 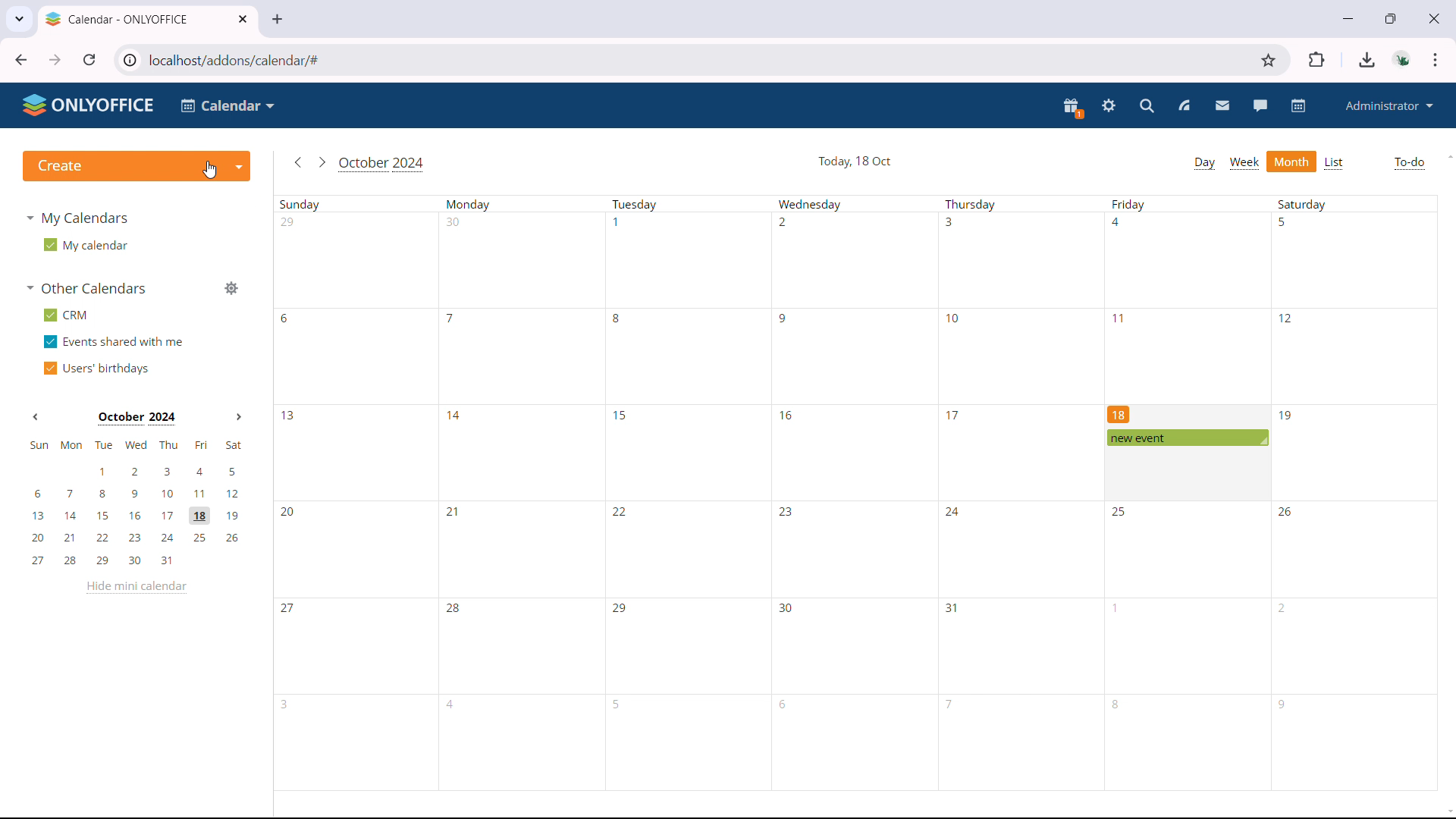 I want to click on calendar, so click(x=1300, y=105).